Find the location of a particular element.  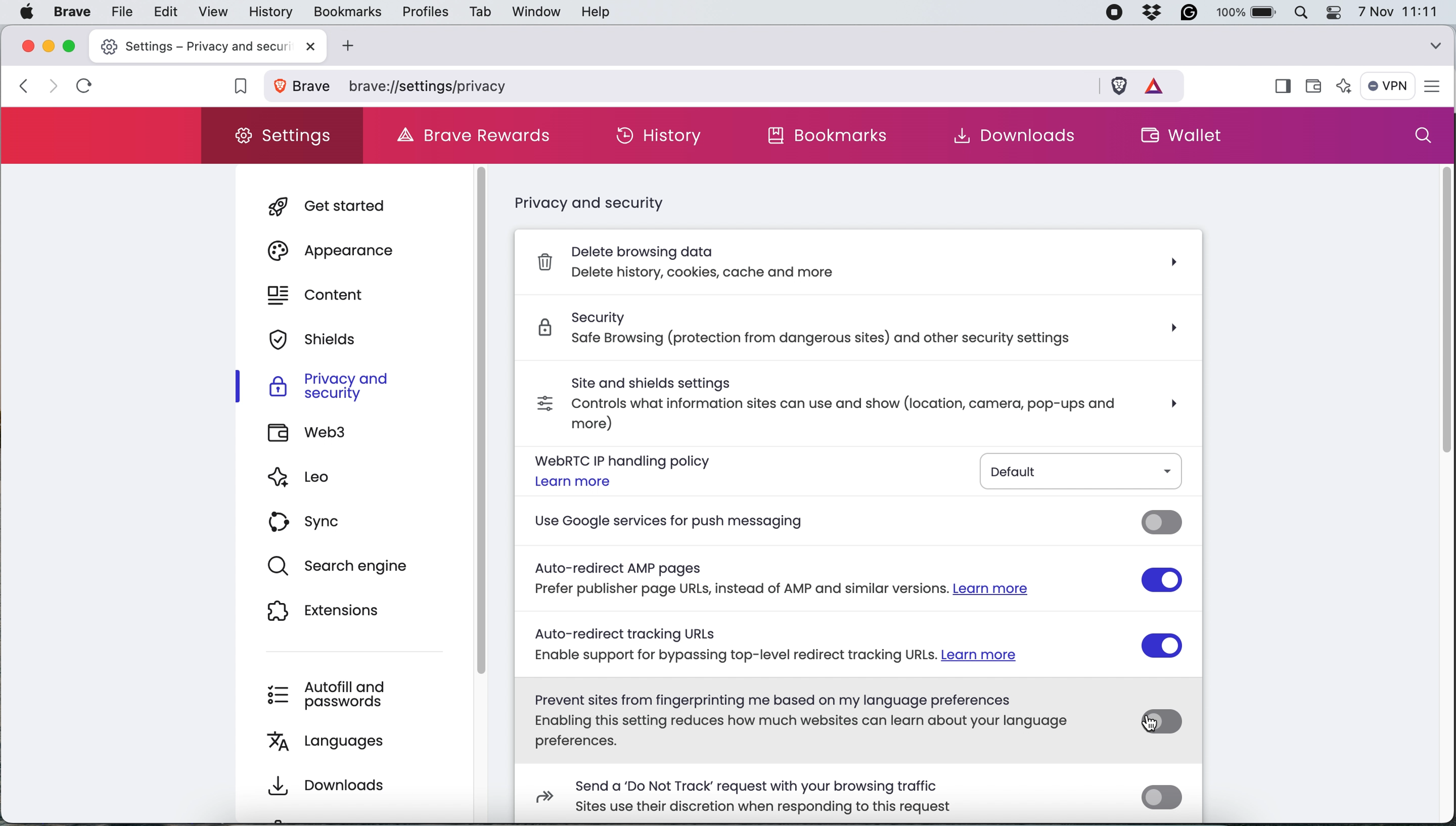

maximise is located at coordinates (71, 45).